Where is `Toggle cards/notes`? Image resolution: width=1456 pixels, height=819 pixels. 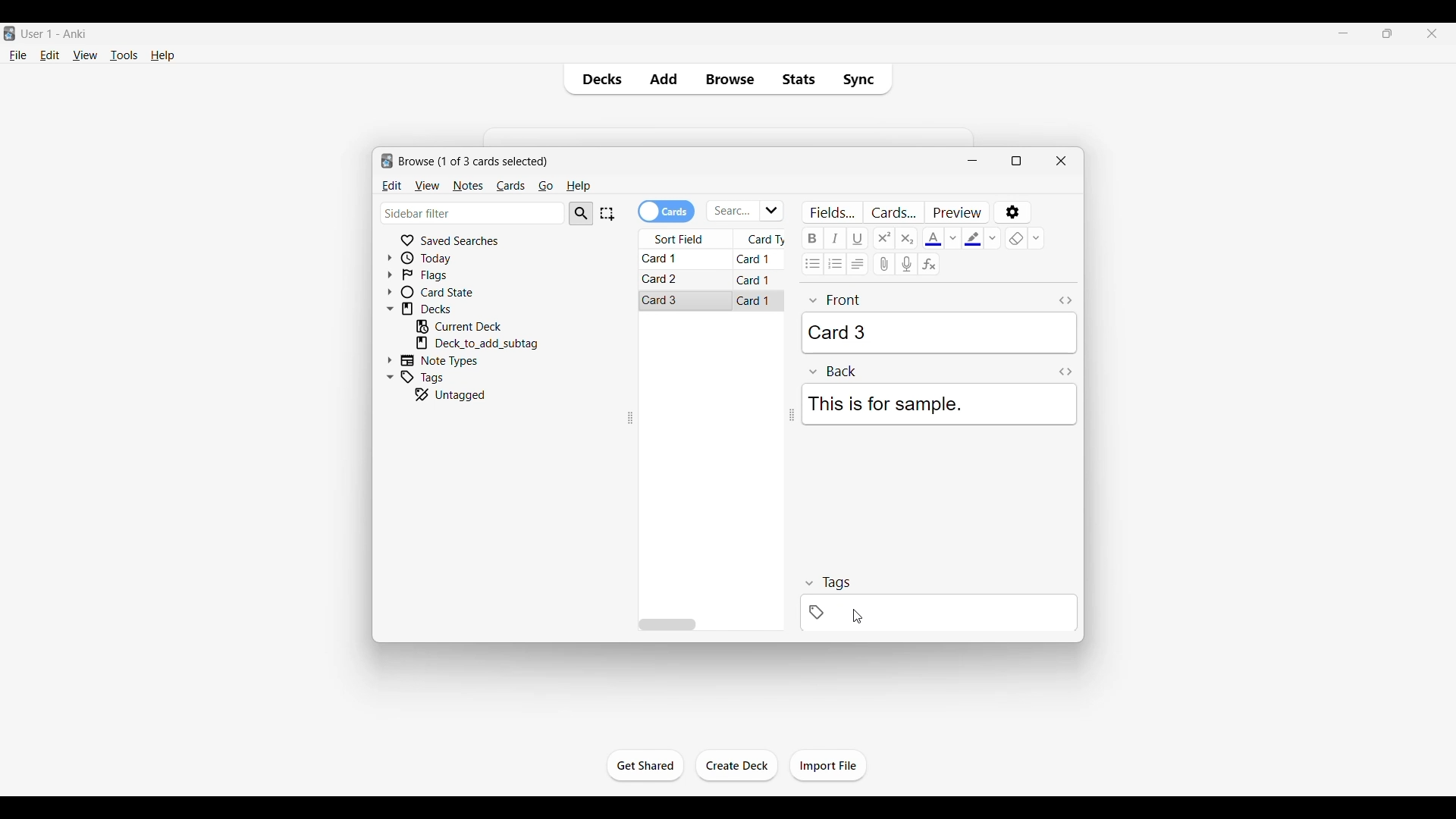 Toggle cards/notes is located at coordinates (666, 212).